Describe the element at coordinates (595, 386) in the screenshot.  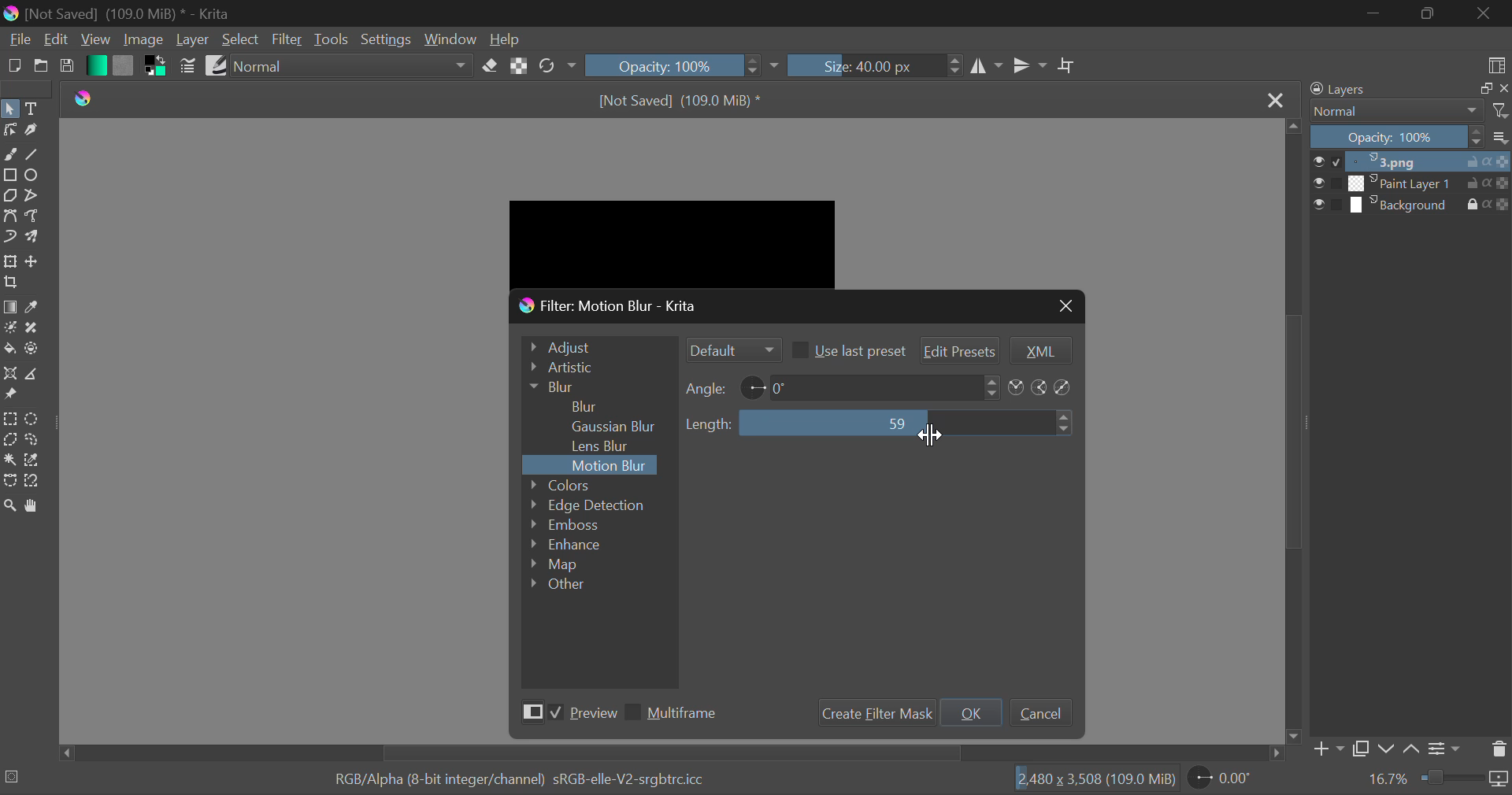
I see `Blur` at that location.